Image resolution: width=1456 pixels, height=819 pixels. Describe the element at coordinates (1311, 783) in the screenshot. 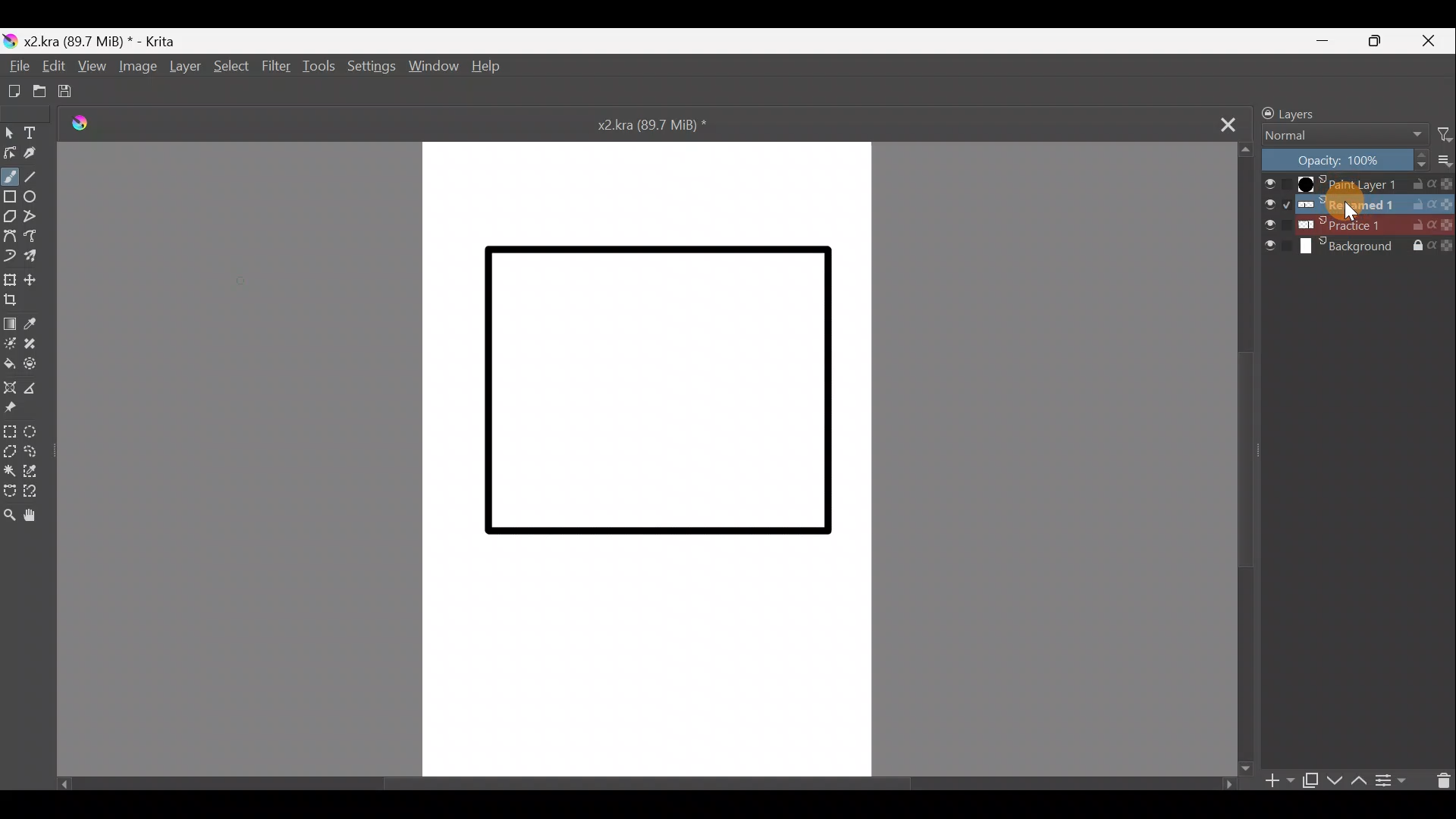

I see `Duplicate layer/mask` at that location.